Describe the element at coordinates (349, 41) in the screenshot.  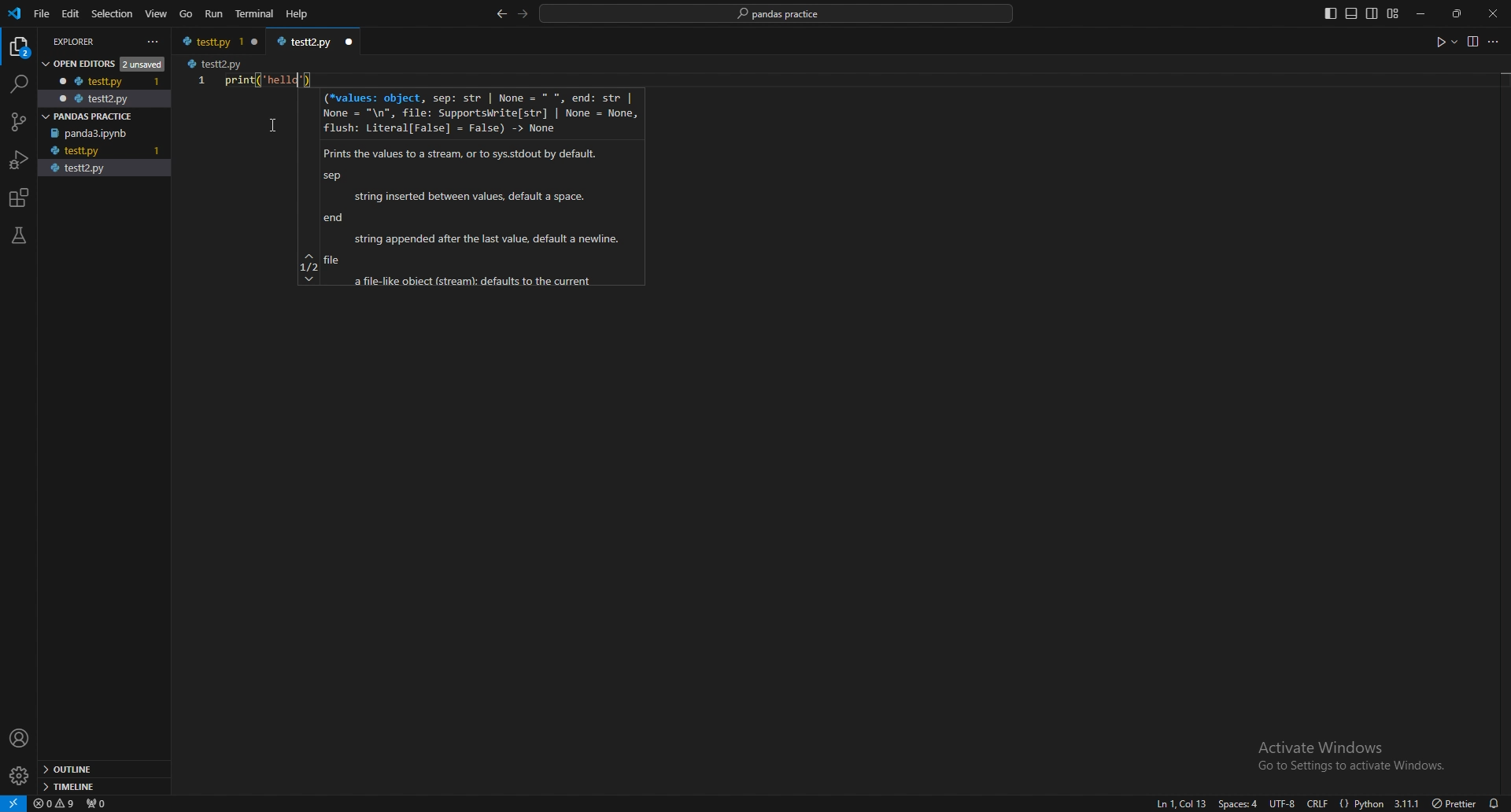
I see `close window` at that location.